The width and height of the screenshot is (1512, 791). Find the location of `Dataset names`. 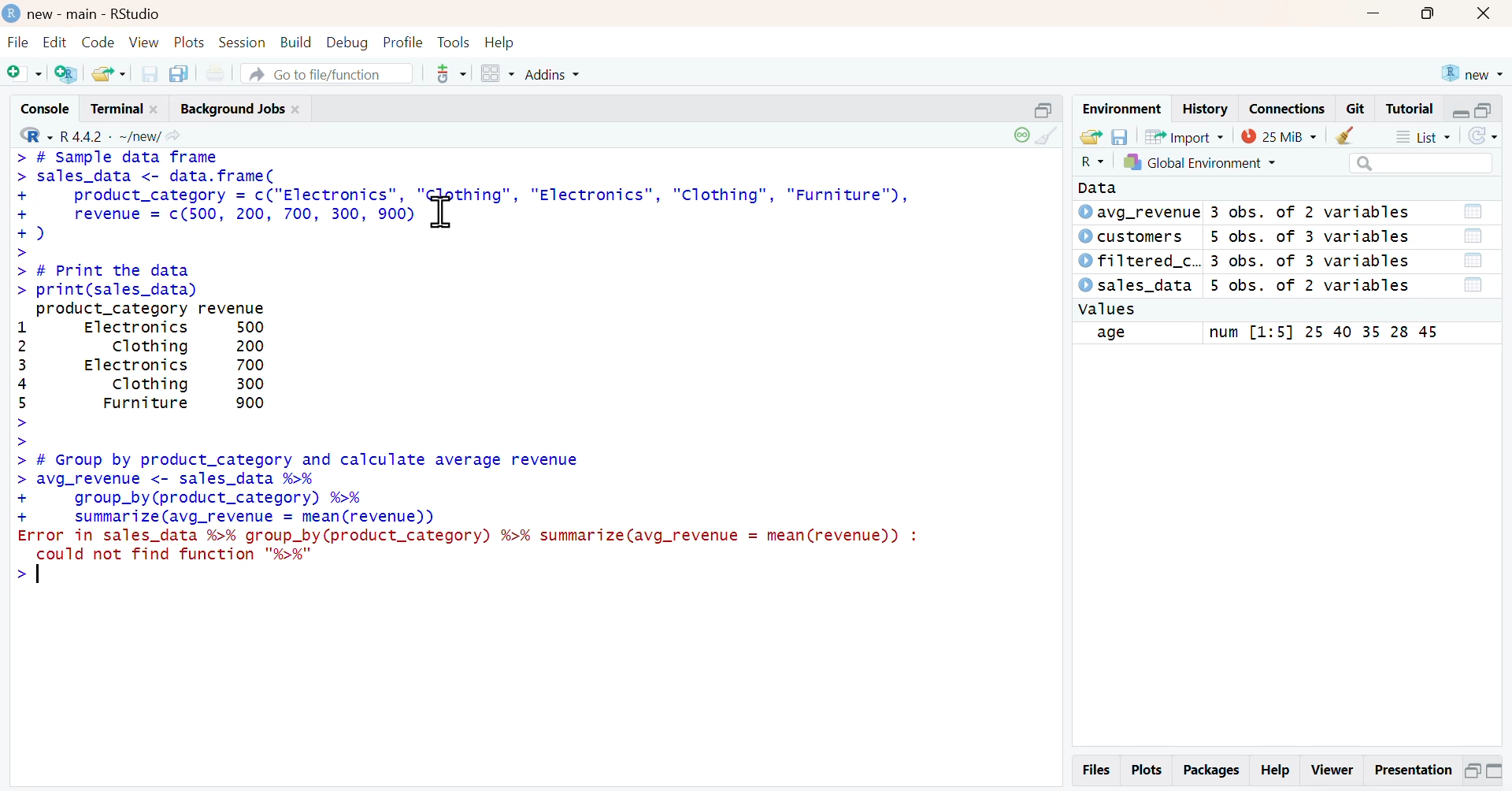

Dataset names is located at coordinates (1138, 249).